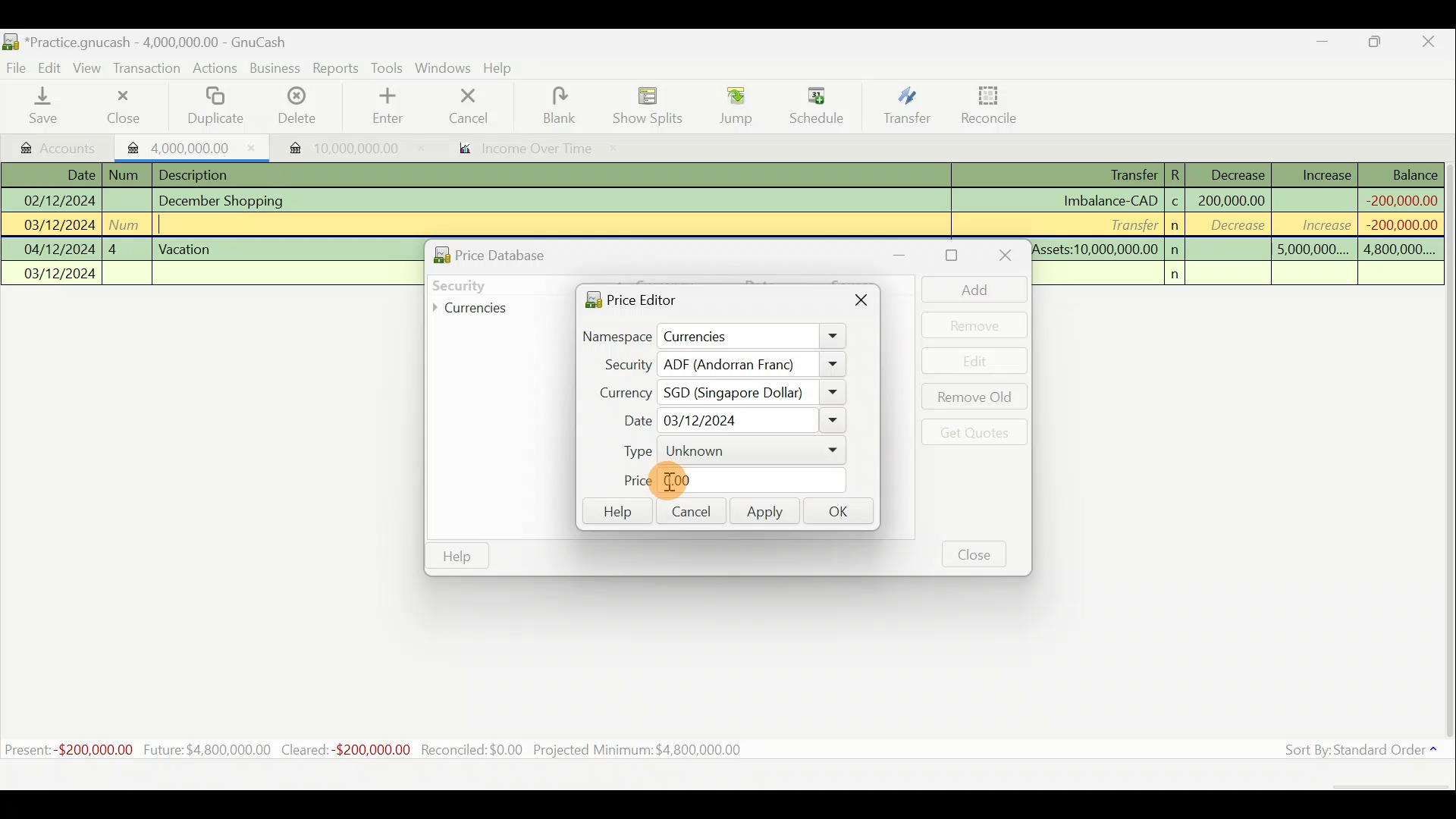 Image resolution: width=1456 pixels, height=819 pixels. What do you see at coordinates (570, 105) in the screenshot?
I see `blank` at bounding box center [570, 105].